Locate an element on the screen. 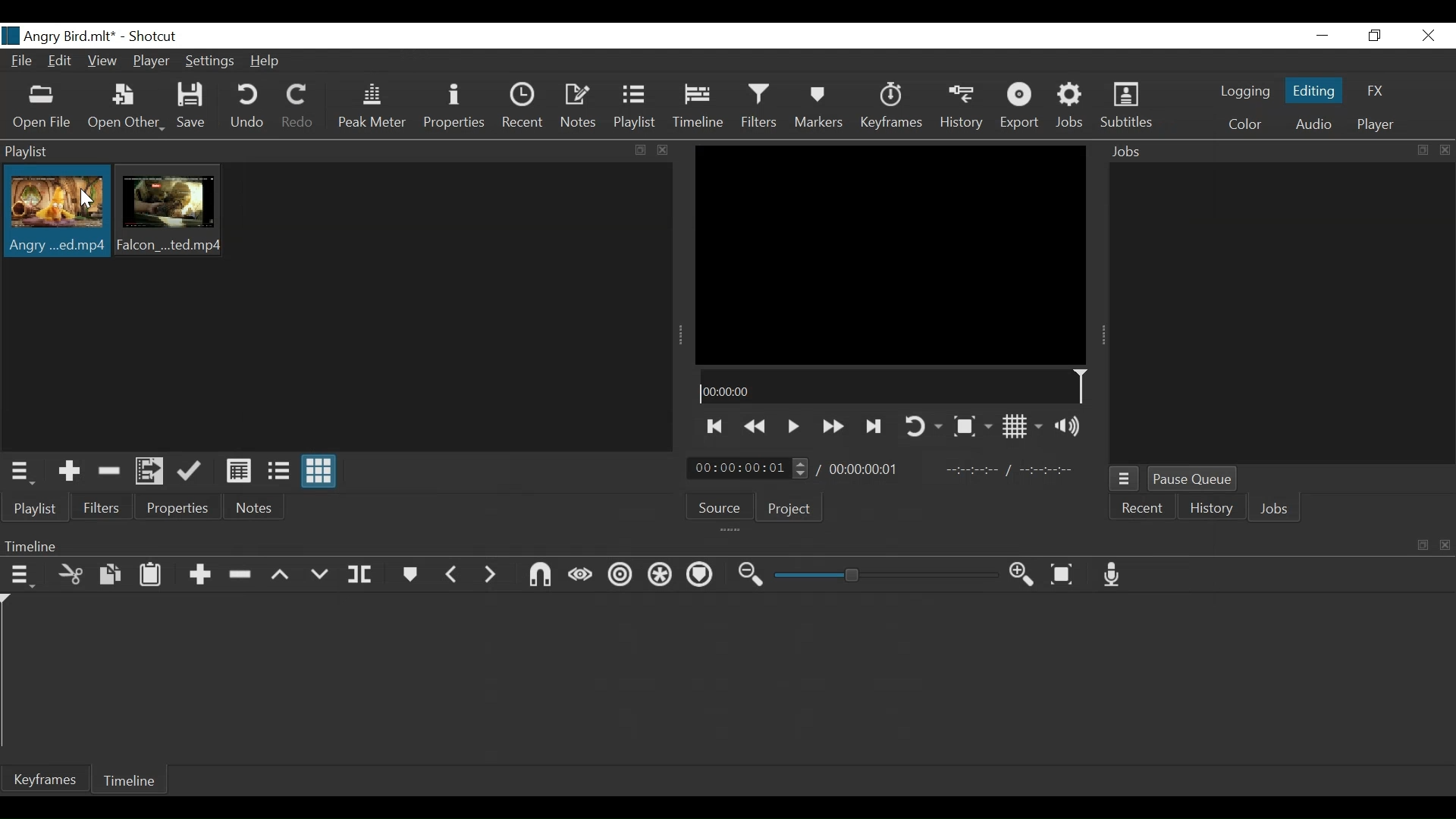 Image resolution: width=1456 pixels, height=819 pixels. Pause Queue is located at coordinates (1193, 479).